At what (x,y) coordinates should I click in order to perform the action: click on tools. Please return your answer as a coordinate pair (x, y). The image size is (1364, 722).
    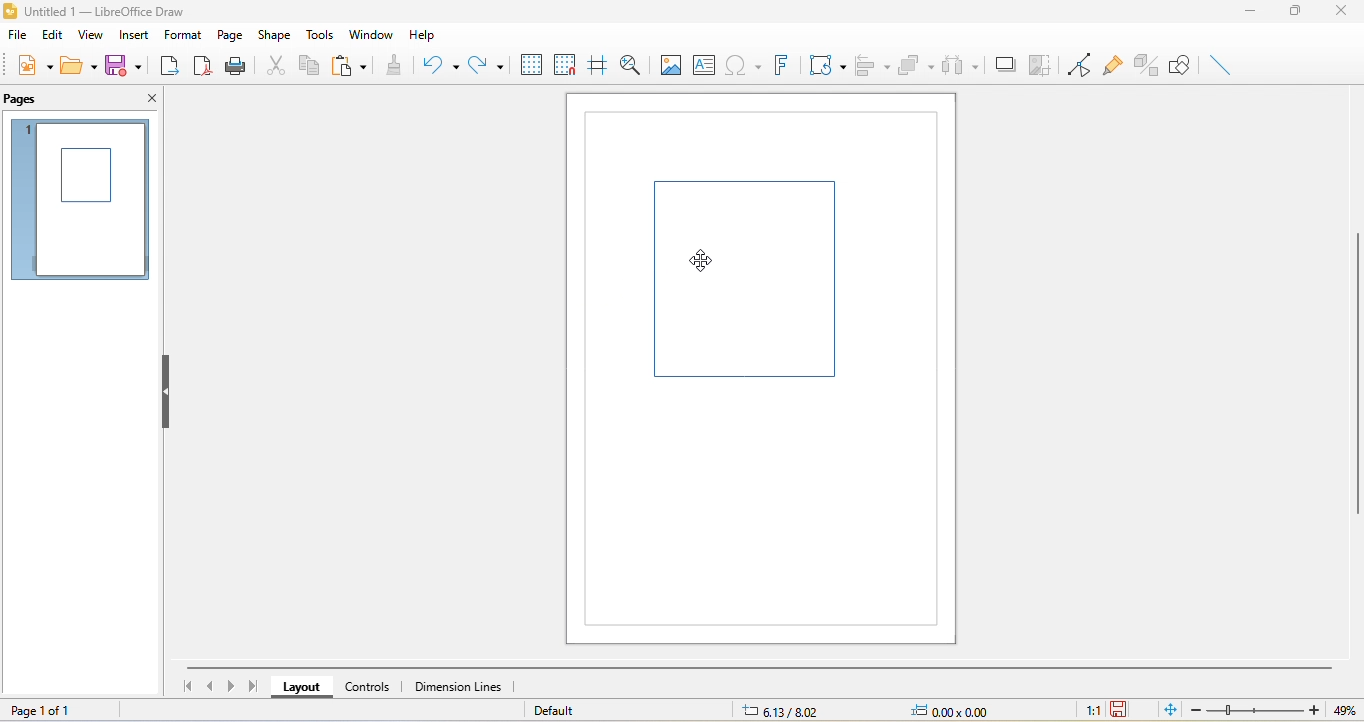
    Looking at the image, I should click on (323, 33).